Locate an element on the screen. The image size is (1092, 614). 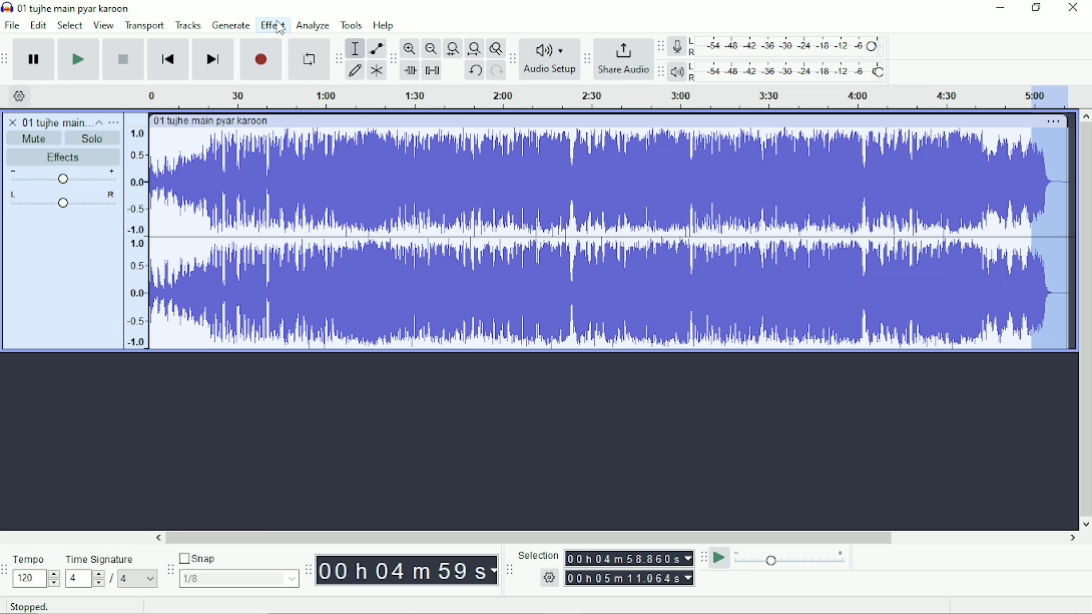
00h00m00s is located at coordinates (408, 571).